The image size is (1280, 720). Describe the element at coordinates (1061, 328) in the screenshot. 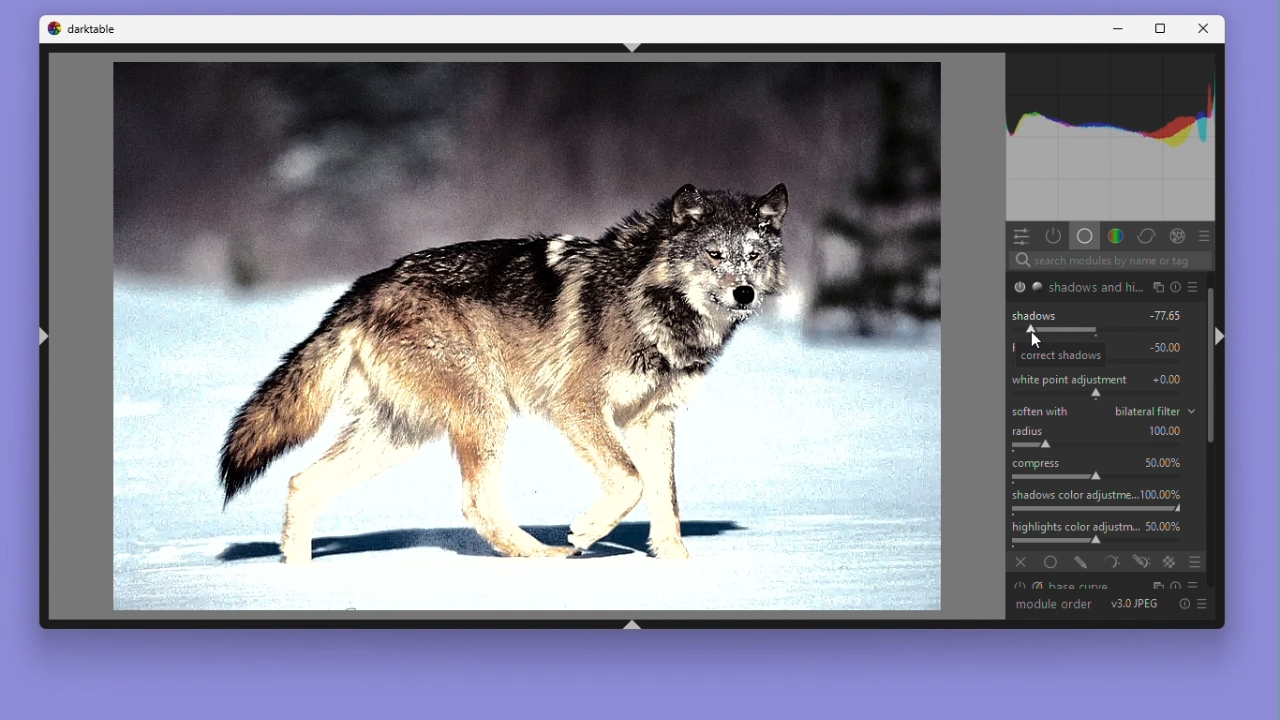

I see `correct shadows` at that location.